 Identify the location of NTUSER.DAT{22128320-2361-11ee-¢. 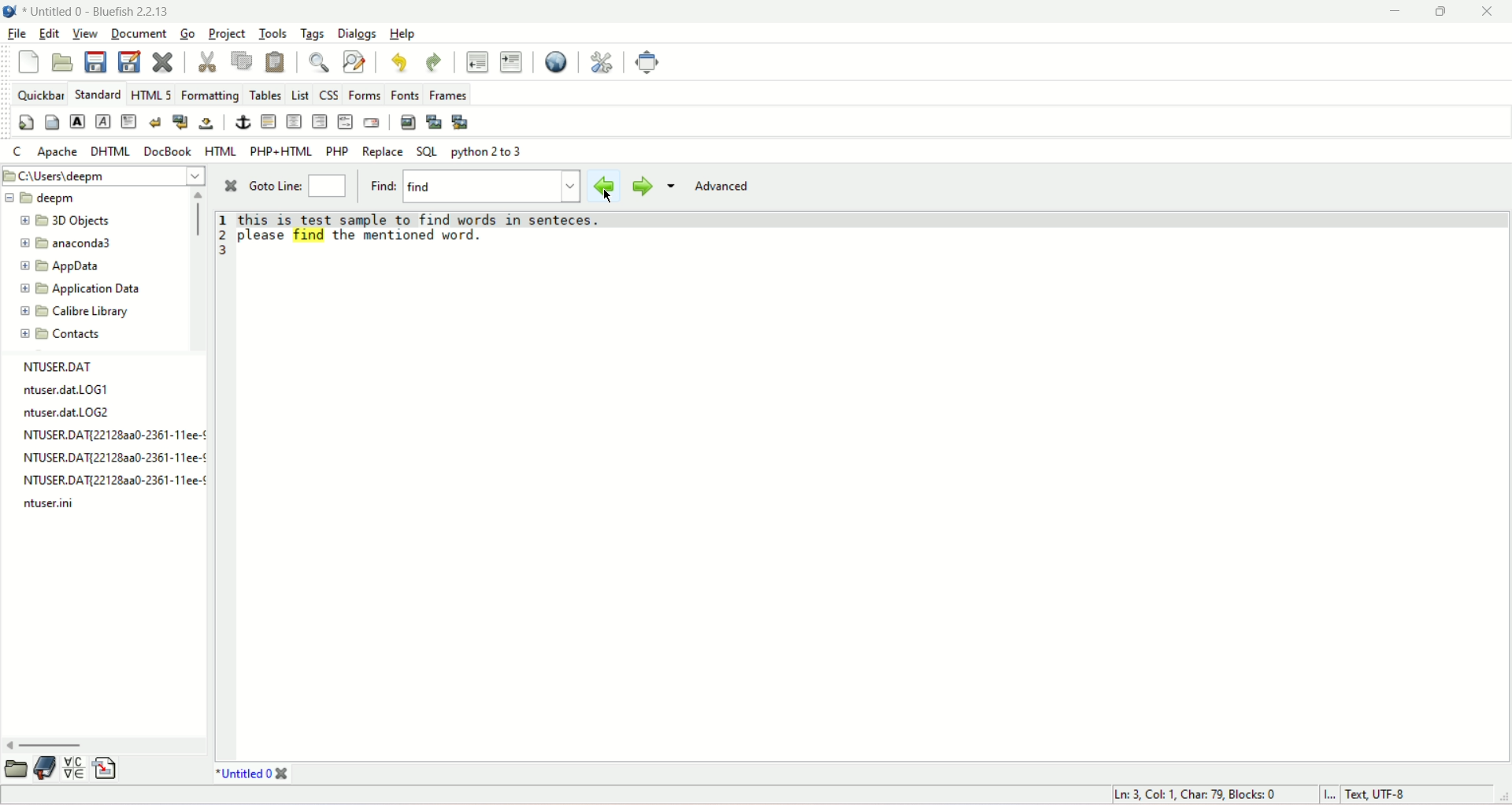
(108, 480).